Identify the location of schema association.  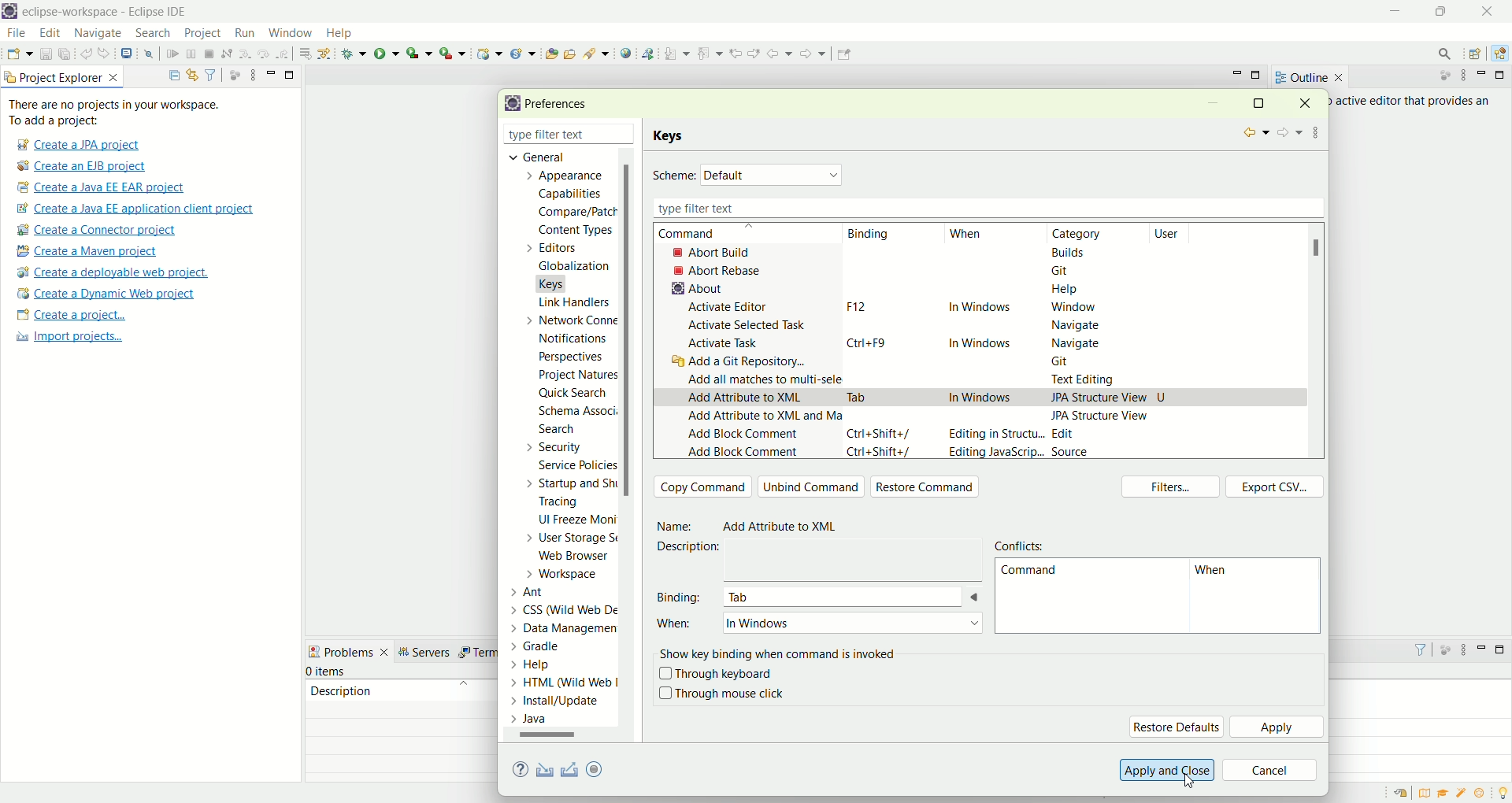
(580, 413).